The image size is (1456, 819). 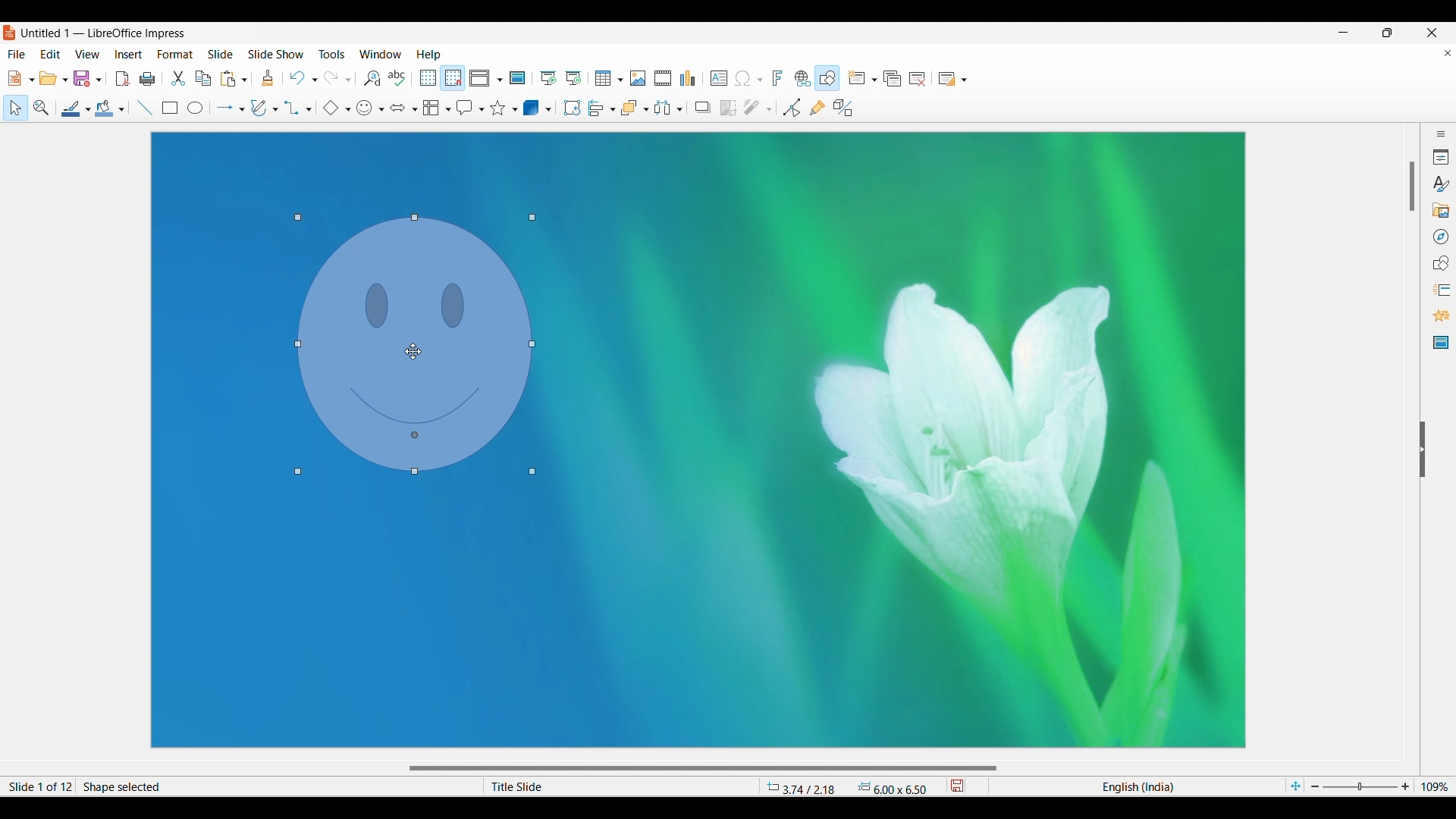 What do you see at coordinates (769, 110) in the screenshot?
I see `Filter options` at bounding box center [769, 110].